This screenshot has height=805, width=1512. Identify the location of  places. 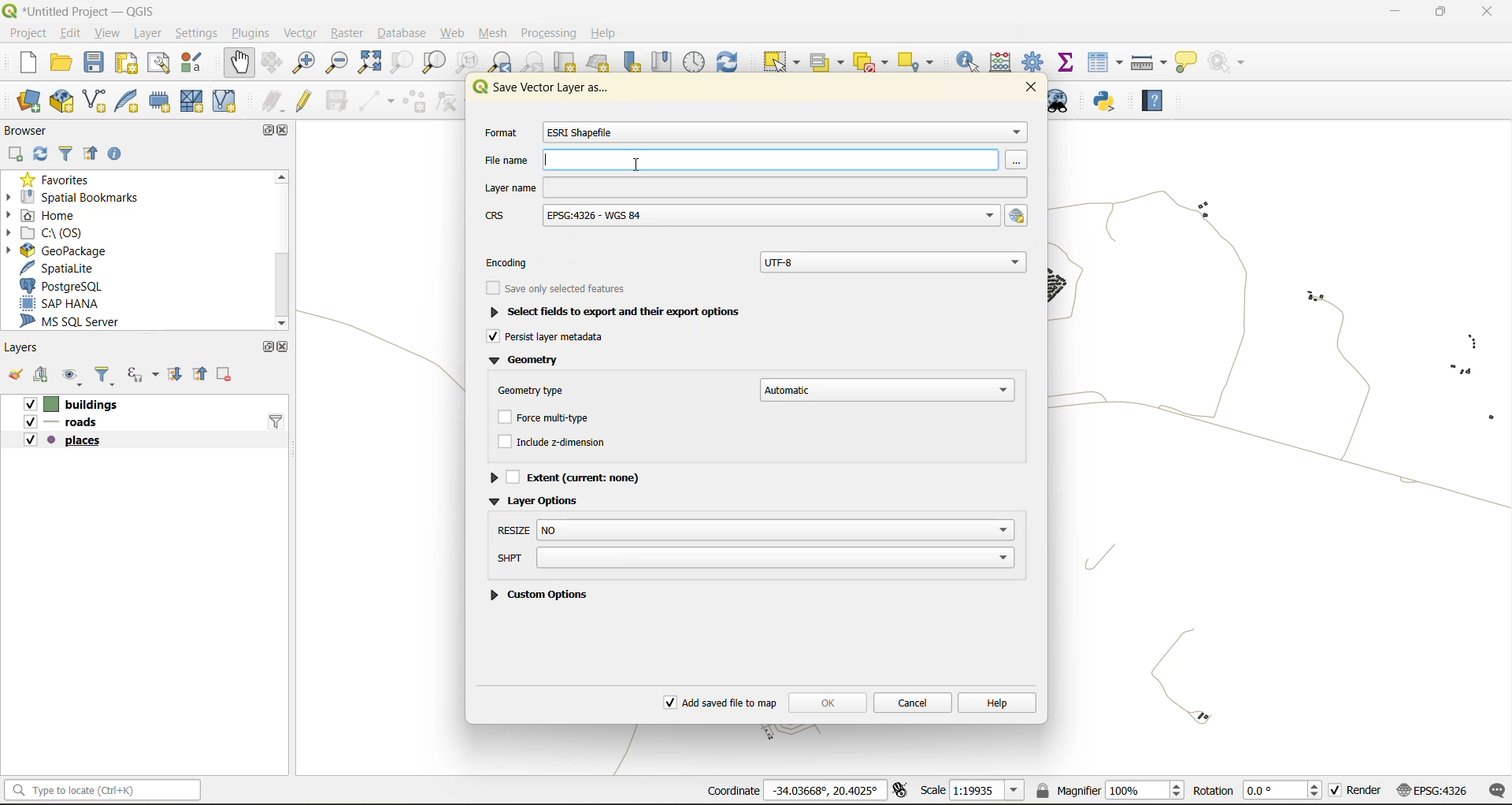
(65, 443).